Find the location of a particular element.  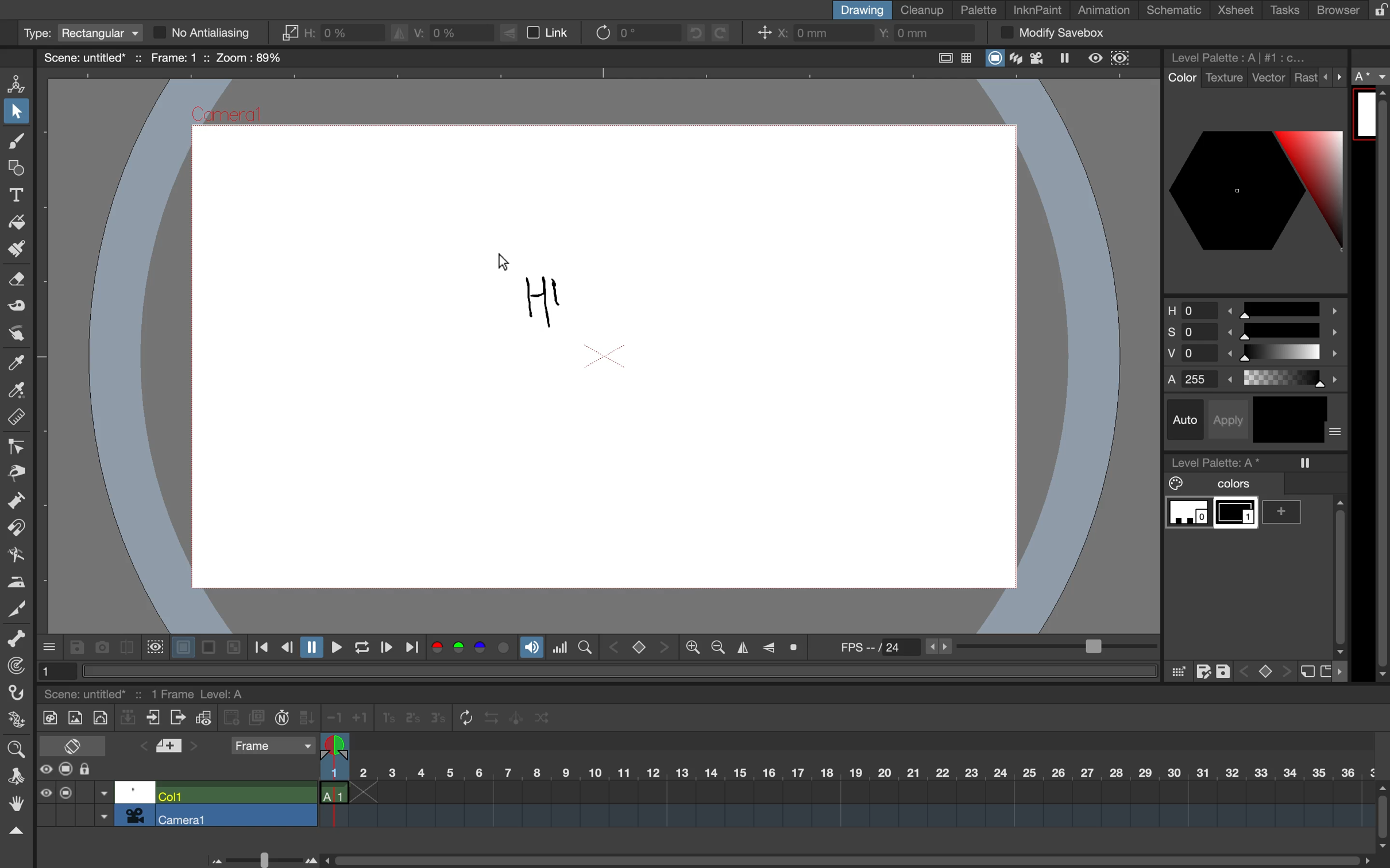

x coordinate is located at coordinates (809, 34).